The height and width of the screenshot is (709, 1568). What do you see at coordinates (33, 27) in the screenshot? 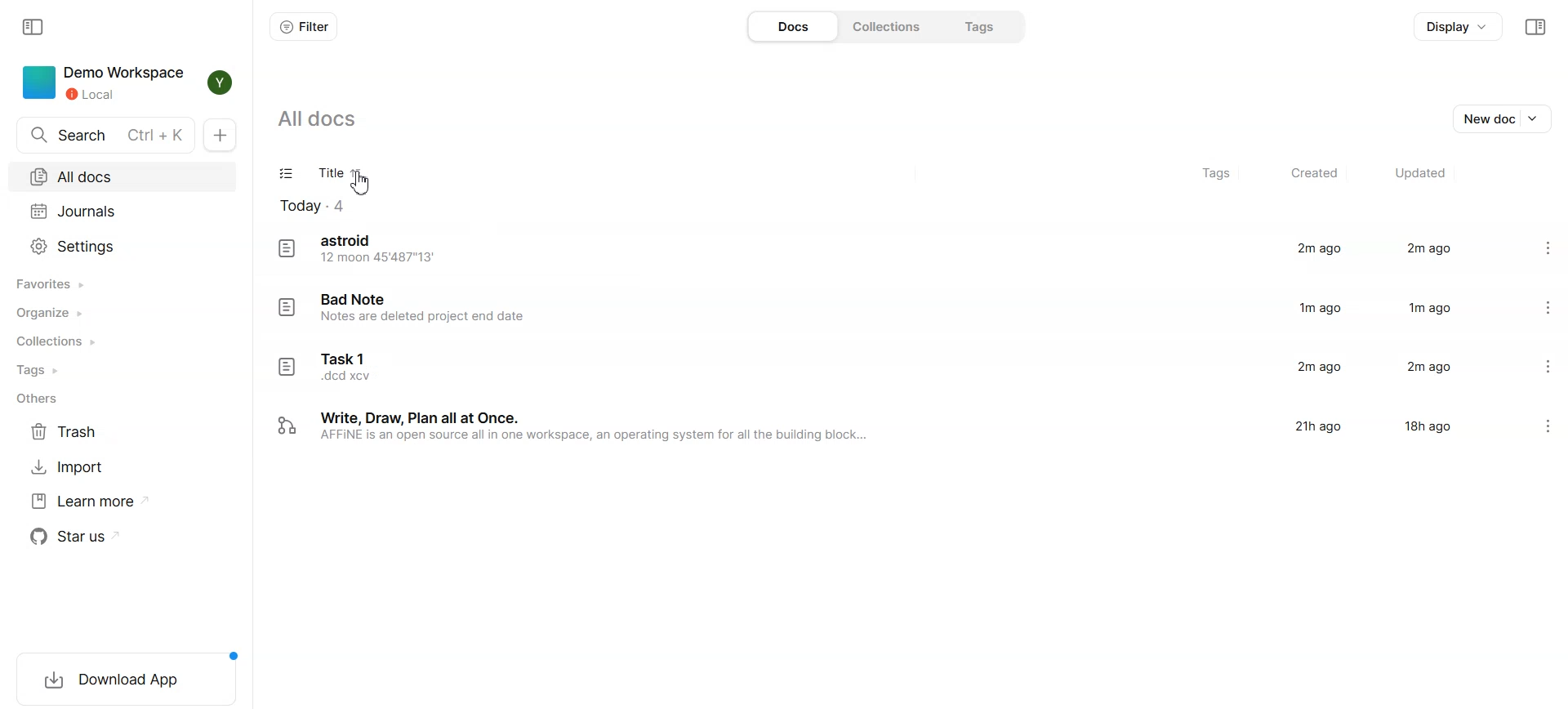
I see `Collapse sidebar` at bounding box center [33, 27].